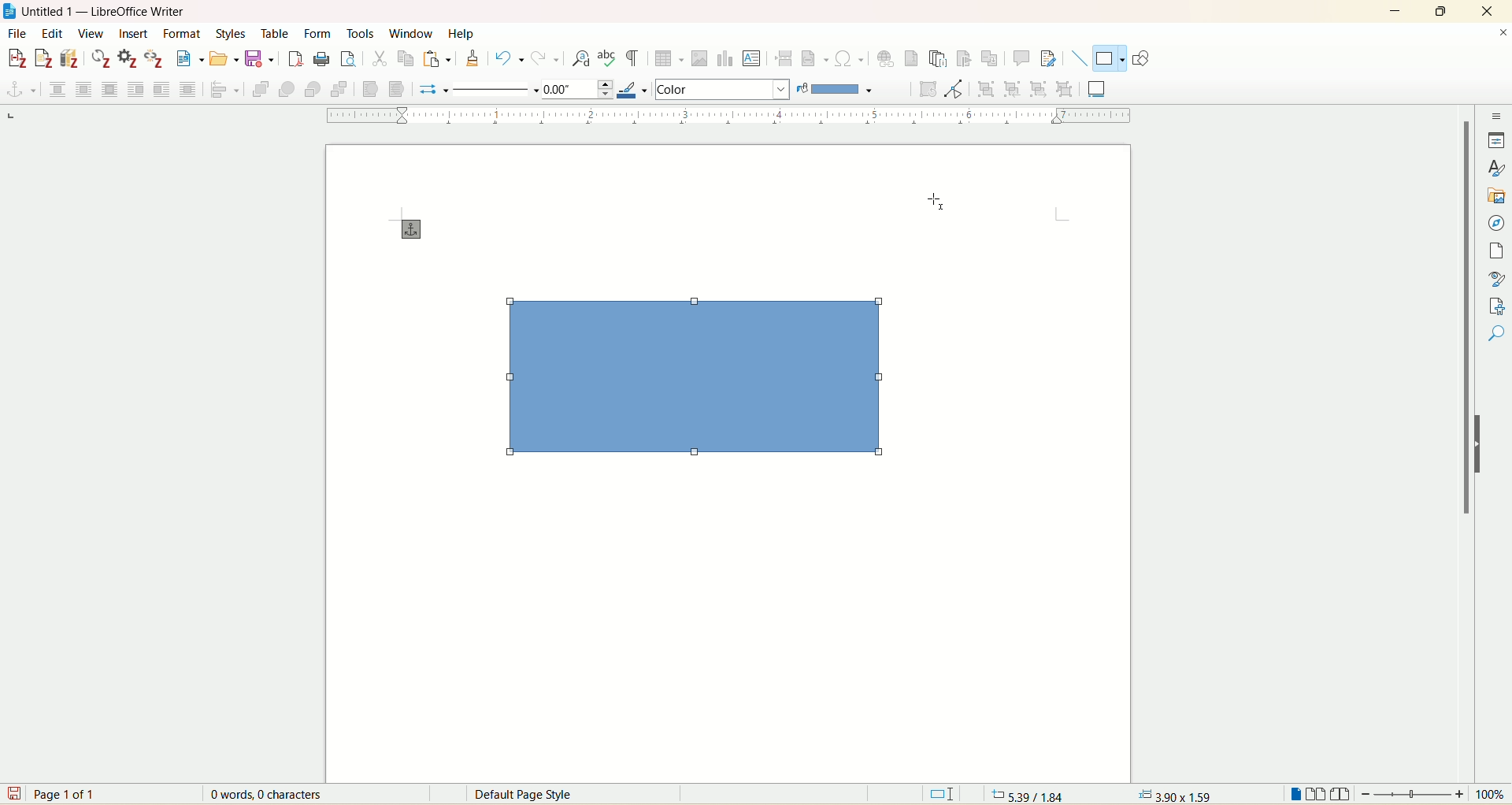  What do you see at coordinates (461, 33) in the screenshot?
I see `help` at bounding box center [461, 33].